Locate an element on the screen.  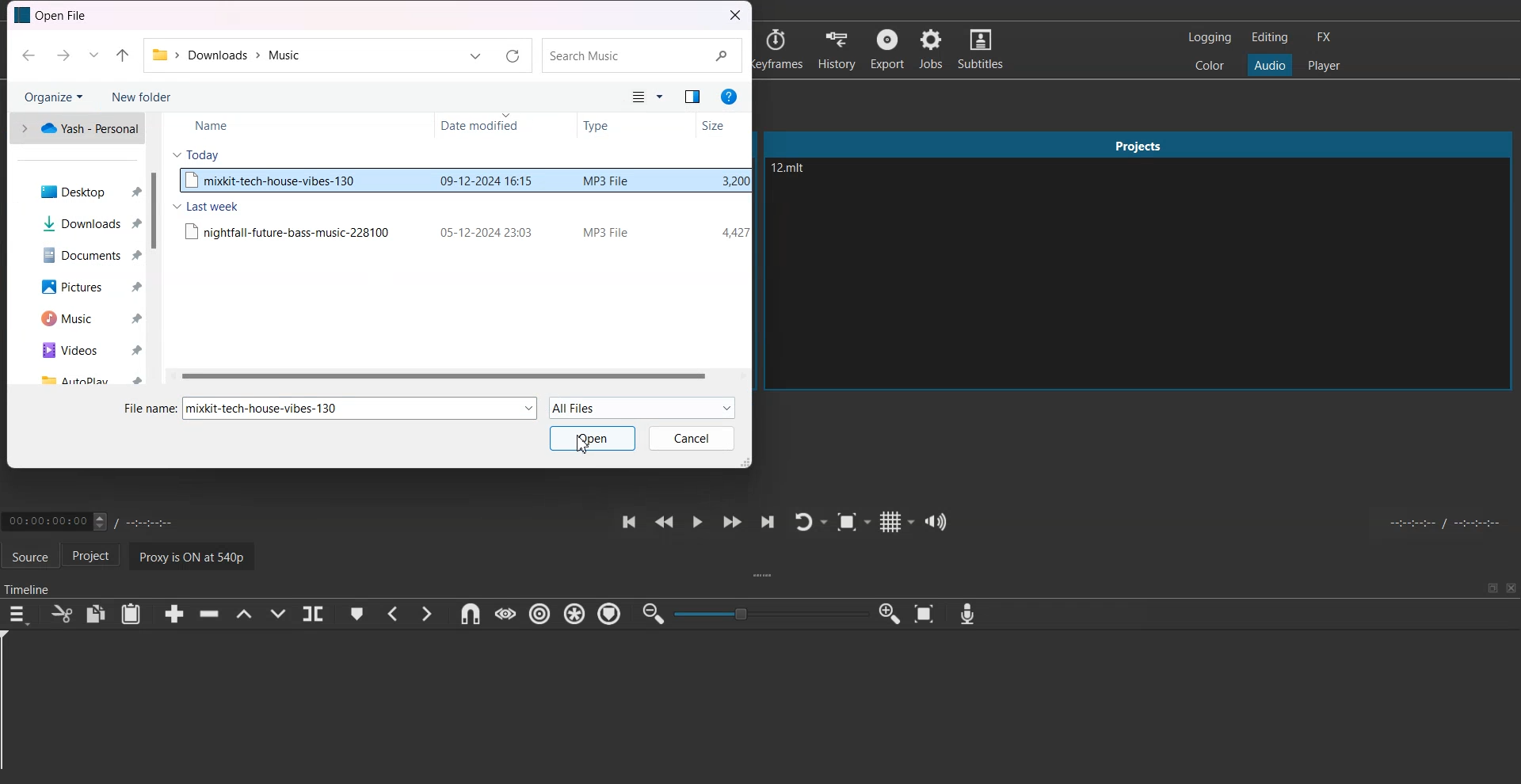
Switch to the Editing layout is located at coordinates (1270, 36).